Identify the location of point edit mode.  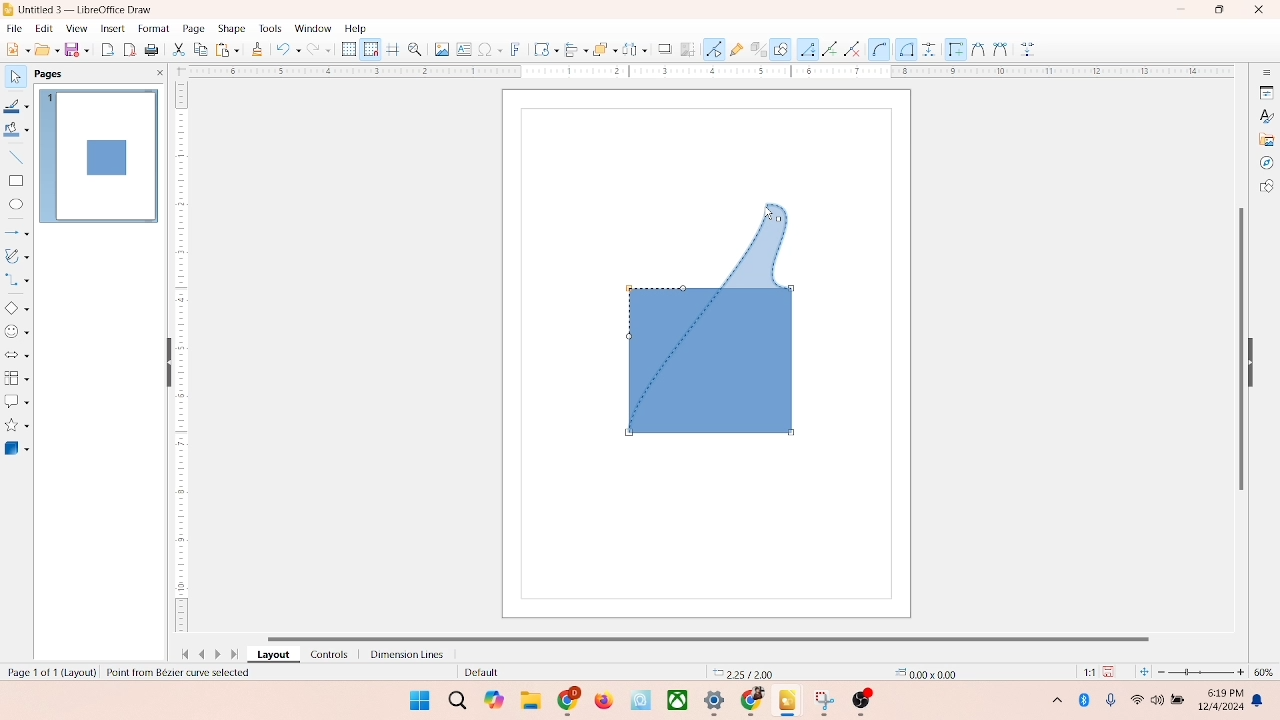
(714, 48).